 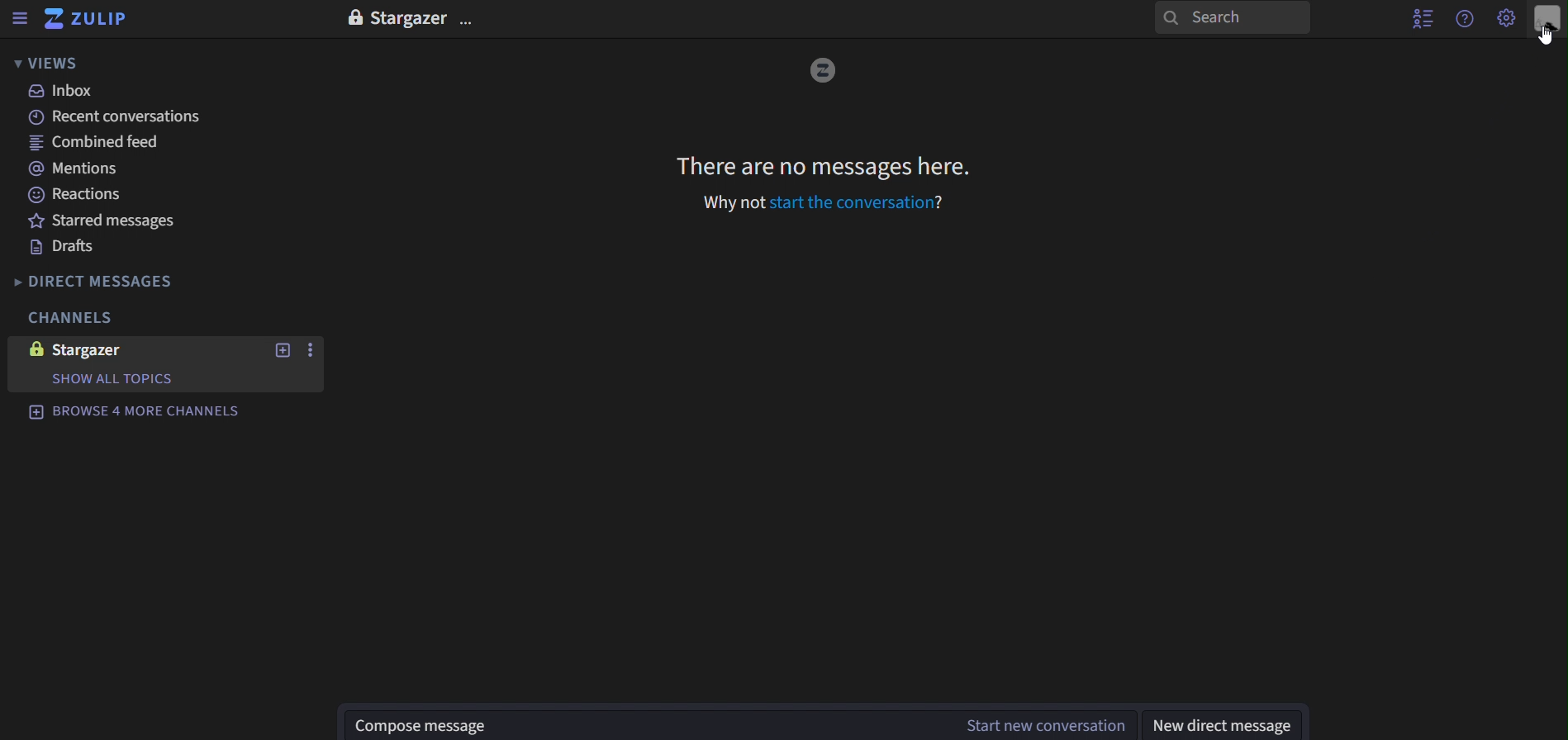 I want to click on views, so click(x=46, y=64).